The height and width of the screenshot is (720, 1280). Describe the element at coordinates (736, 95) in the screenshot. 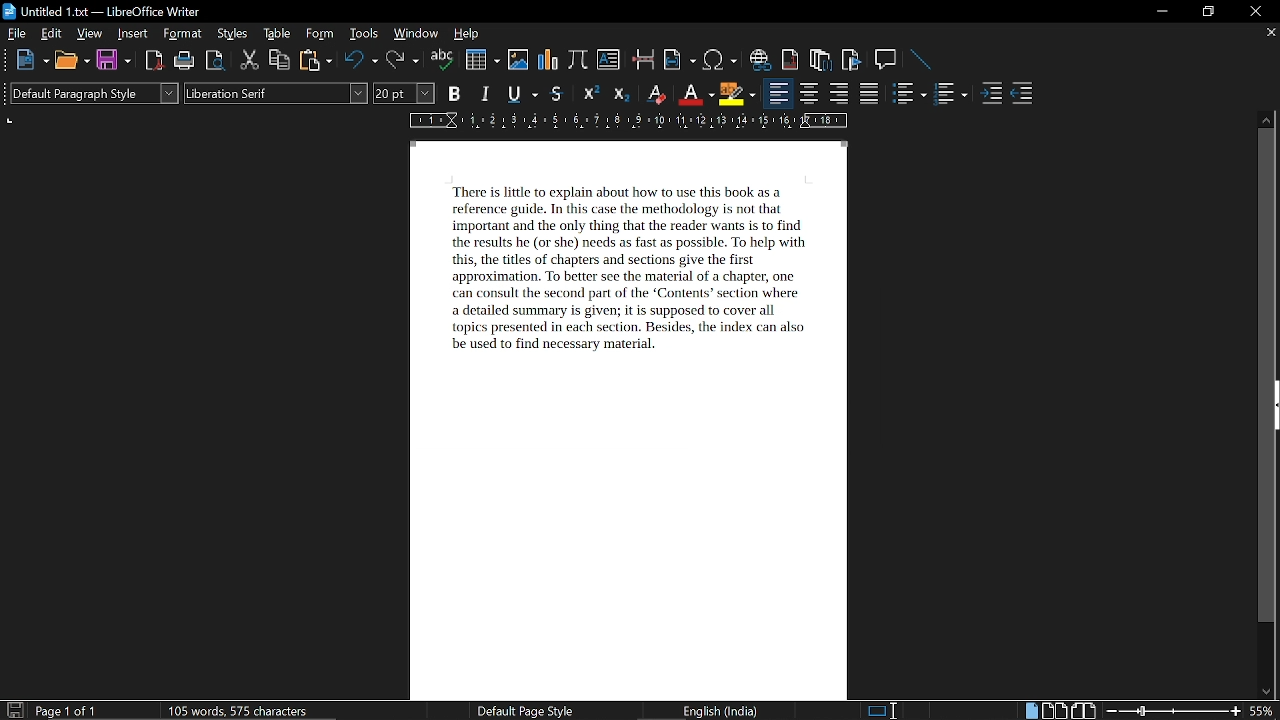

I see `highlight` at that location.